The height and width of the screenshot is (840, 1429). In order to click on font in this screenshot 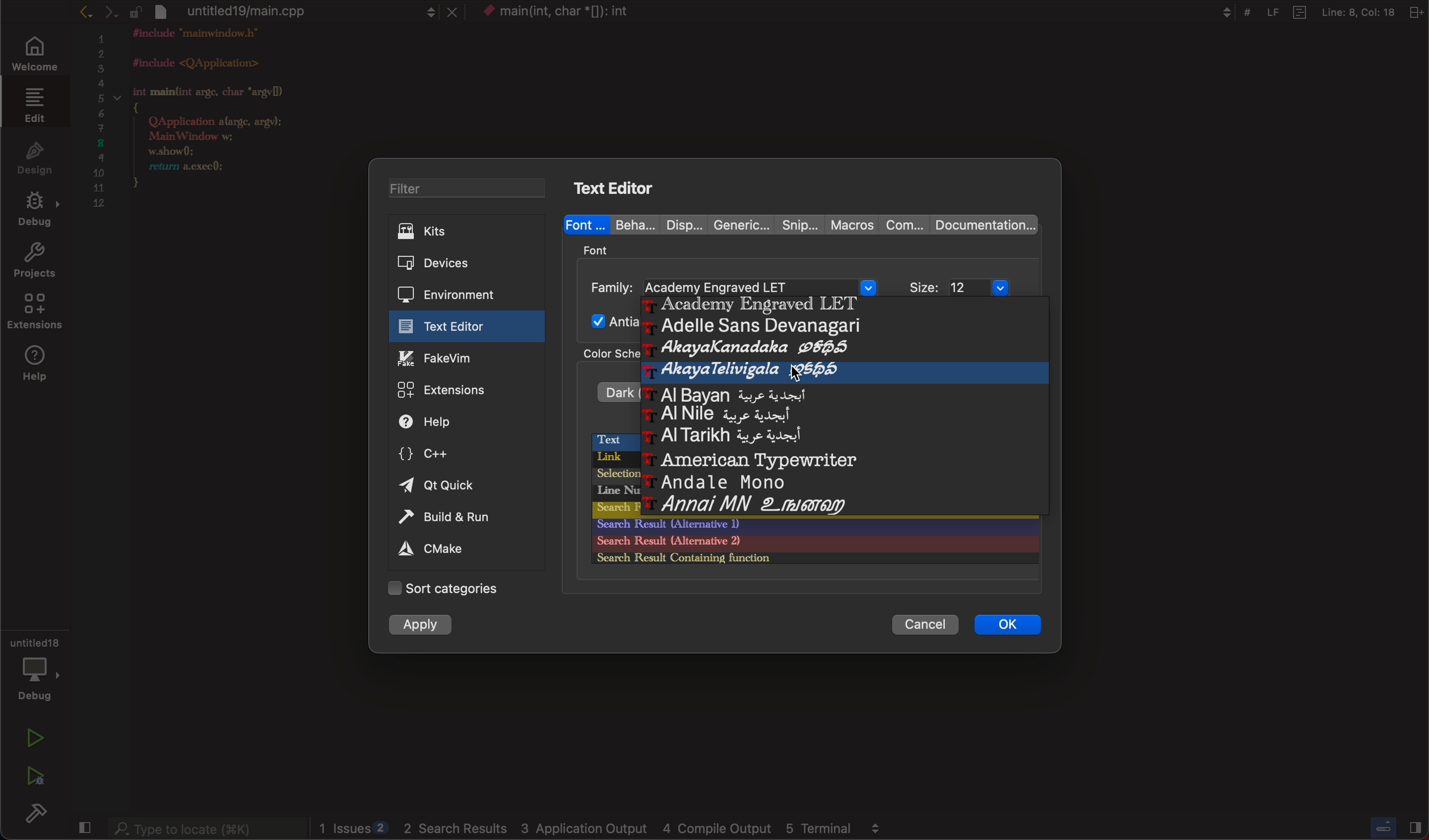, I will do `click(599, 249)`.